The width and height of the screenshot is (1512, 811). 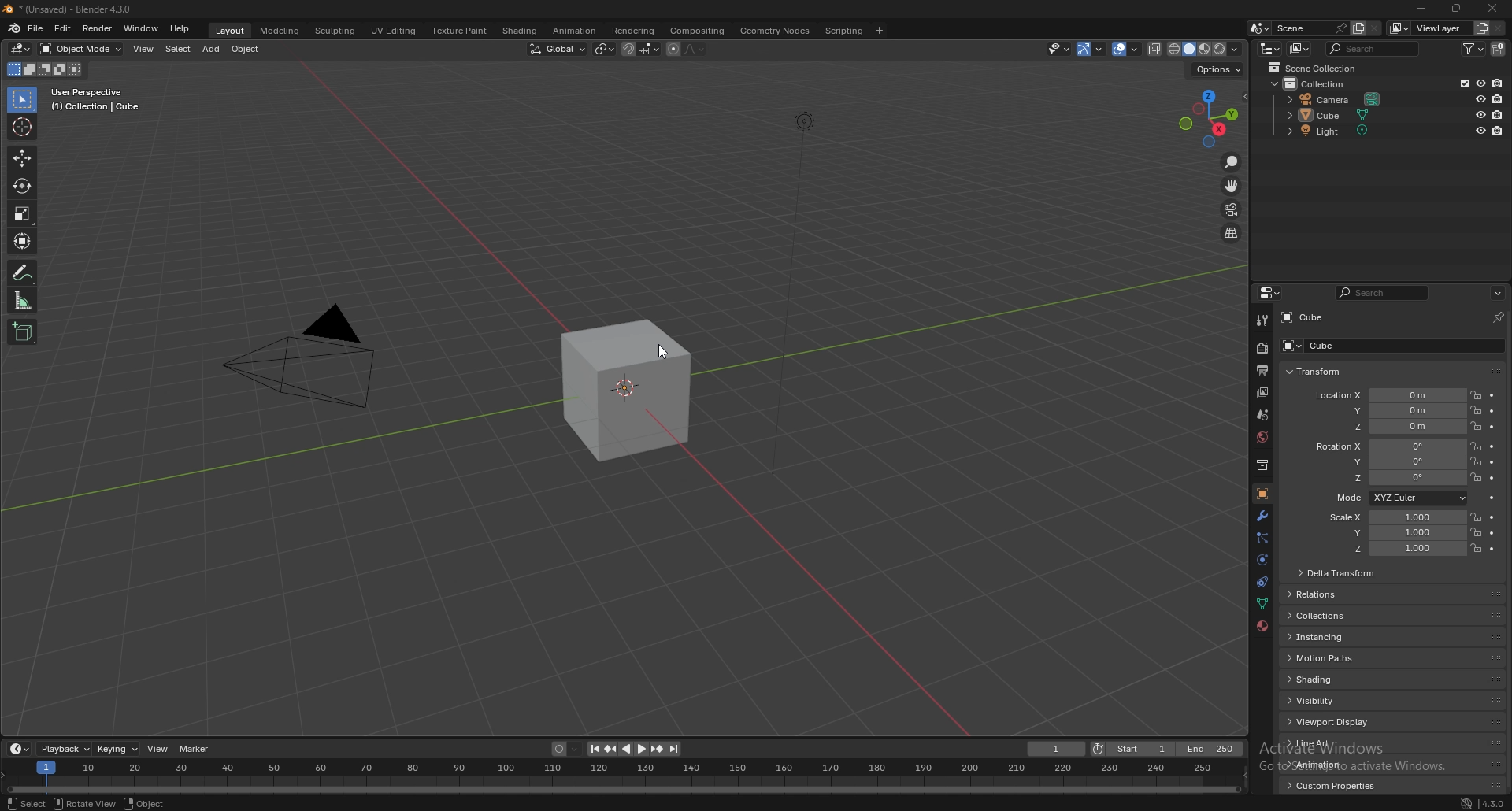 What do you see at coordinates (774, 31) in the screenshot?
I see `geometry nodes` at bounding box center [774, 31].